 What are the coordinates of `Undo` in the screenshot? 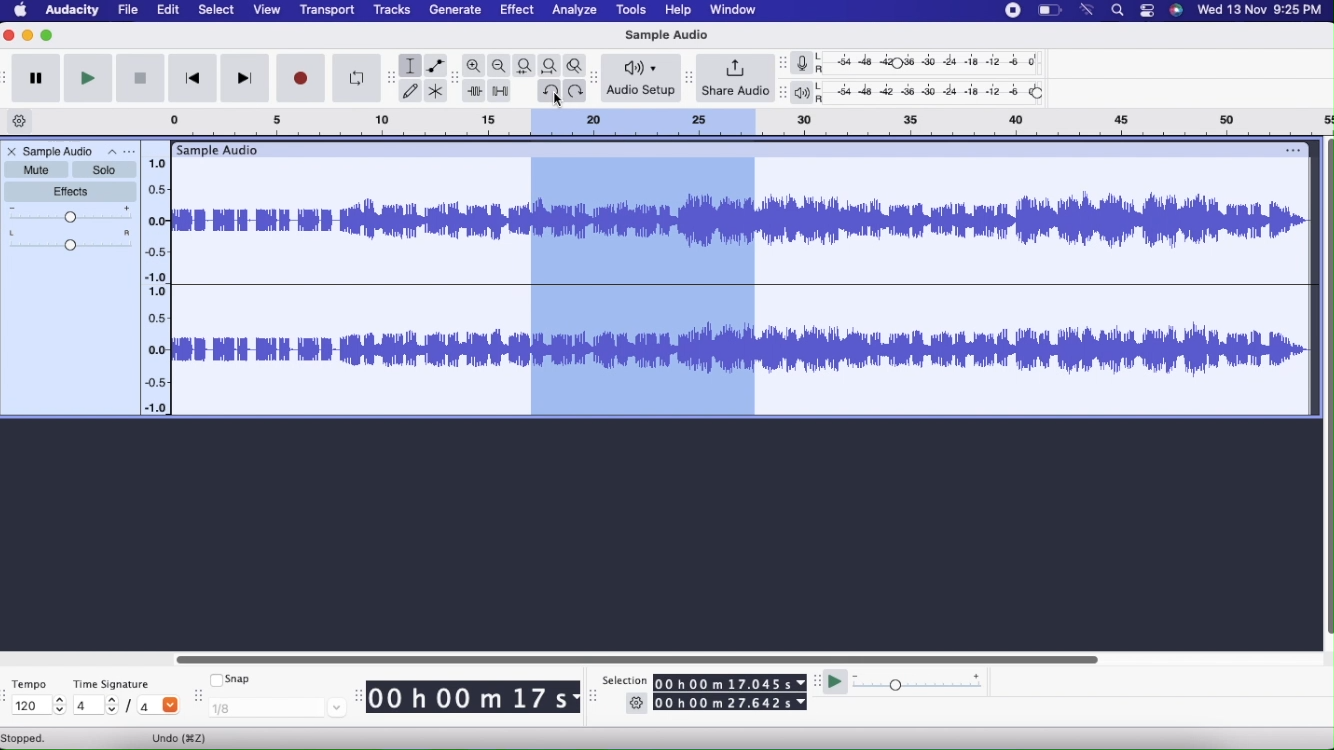 It's located at (178, 738).